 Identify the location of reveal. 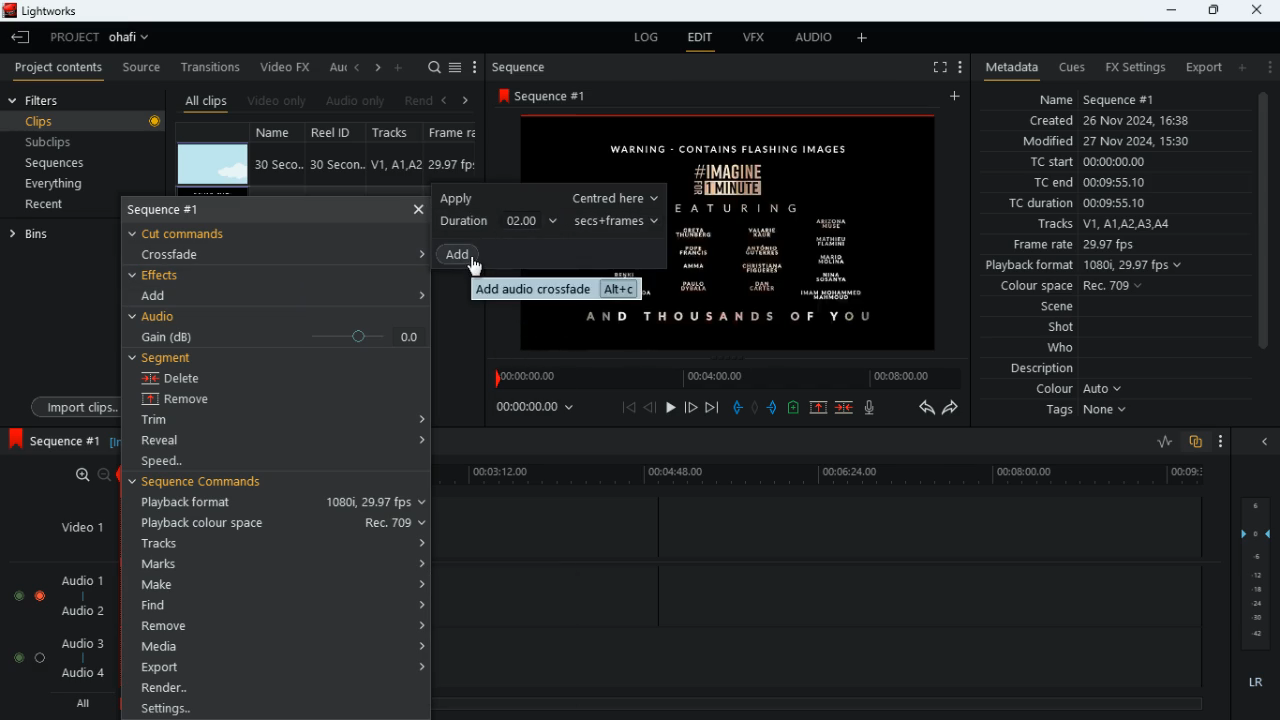
(178, 441).